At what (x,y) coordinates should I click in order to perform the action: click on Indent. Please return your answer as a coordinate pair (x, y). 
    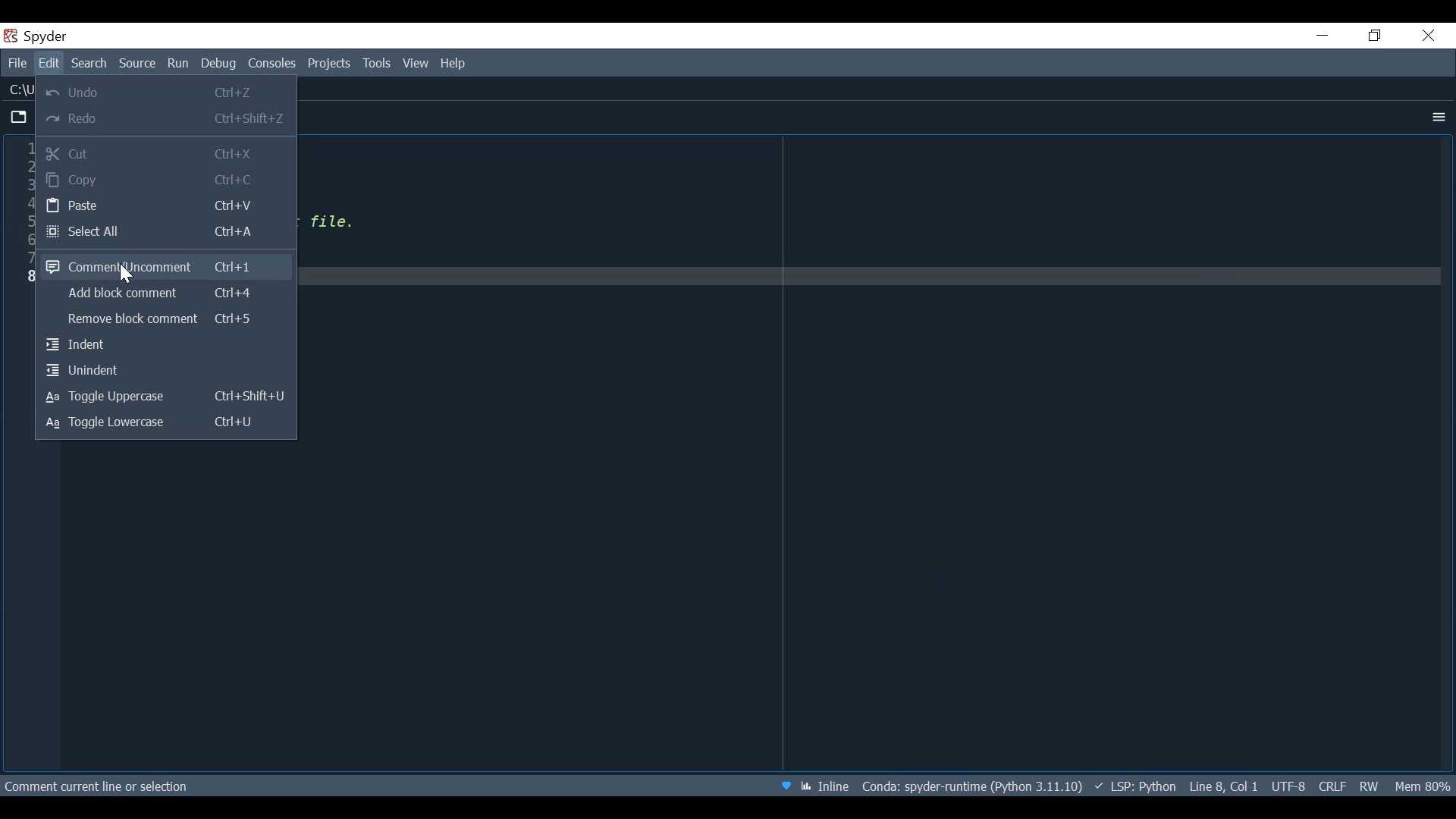
    Looking at the image, I should click on (165, 347).